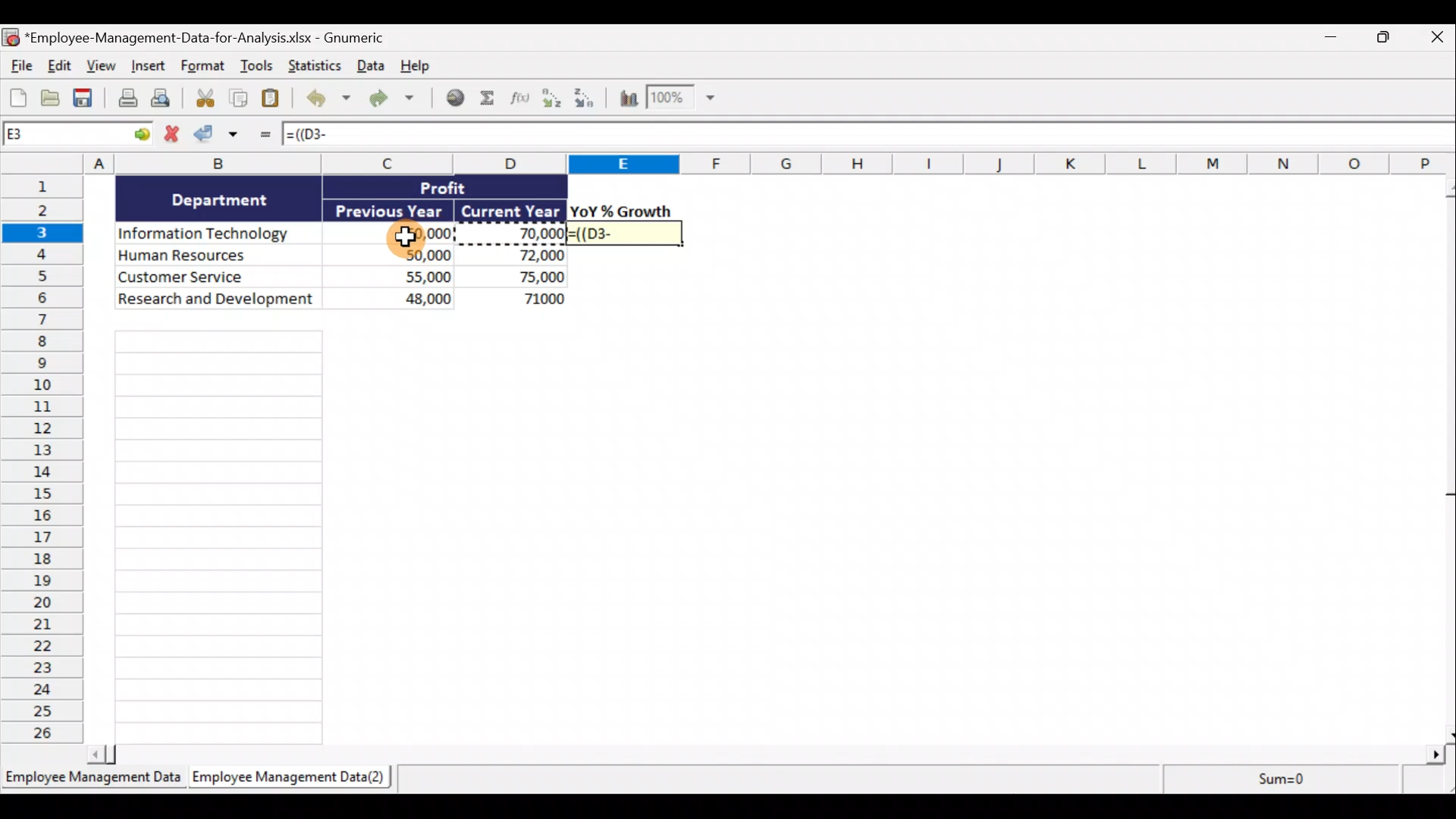  Describe the element at coordinates (19, 64) in the screenshot. I see `File` at that location.